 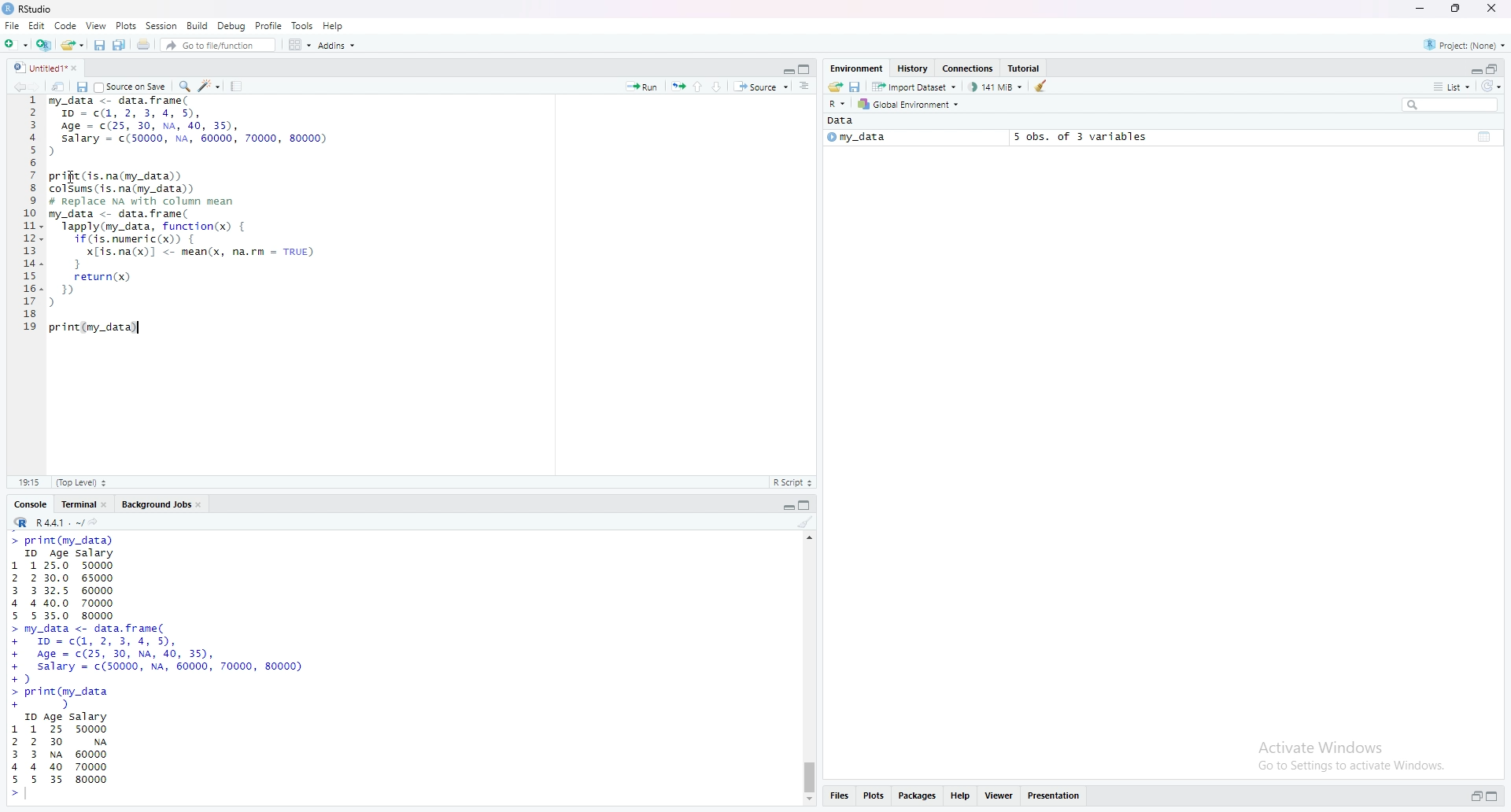 What do you see at coordinates (1042, 86) in the screenshot?
I see `clear object from the workspace` at bounding box center [1042, 86].